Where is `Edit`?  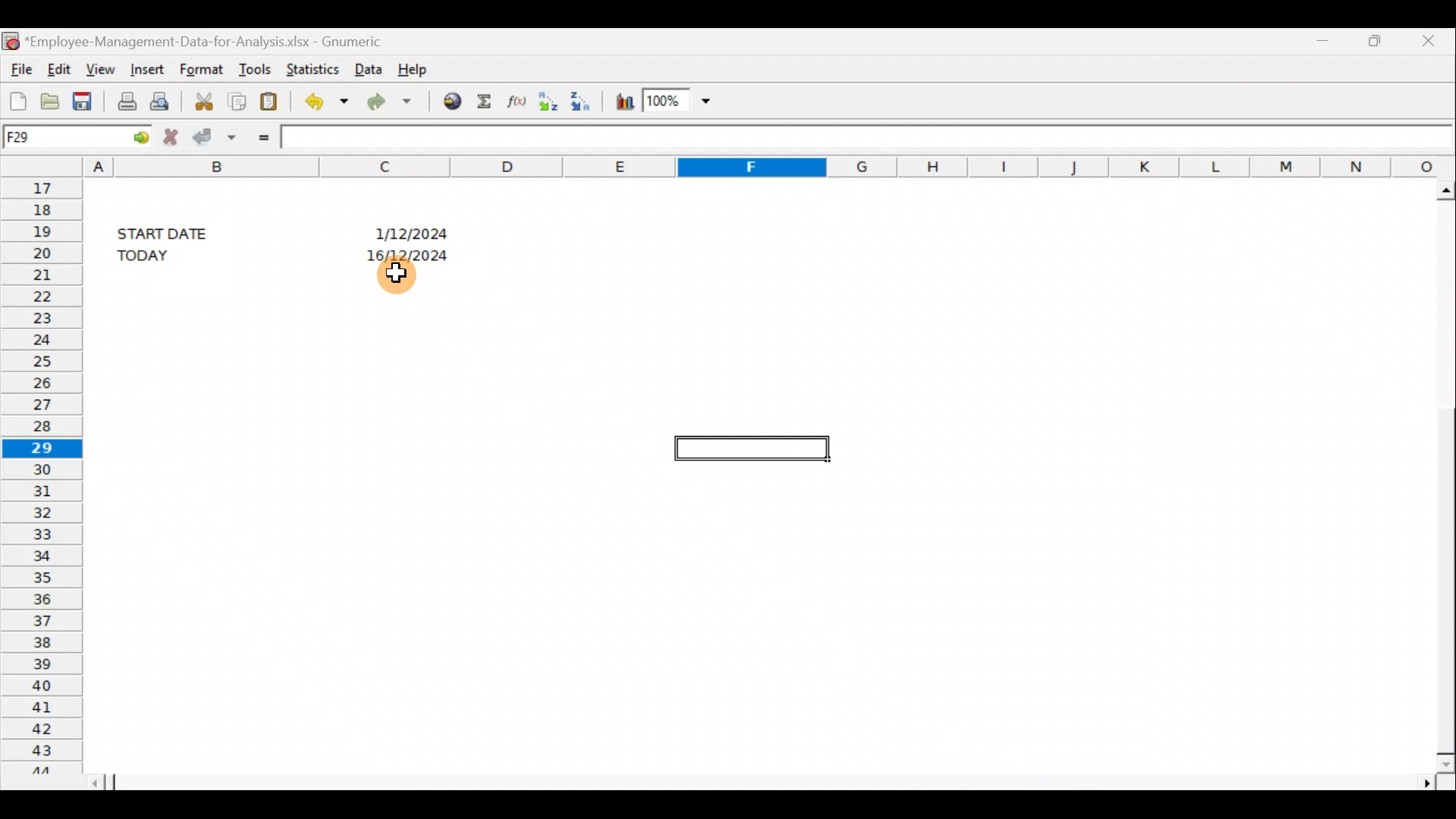
Edit is located at coordinates (61, 69).